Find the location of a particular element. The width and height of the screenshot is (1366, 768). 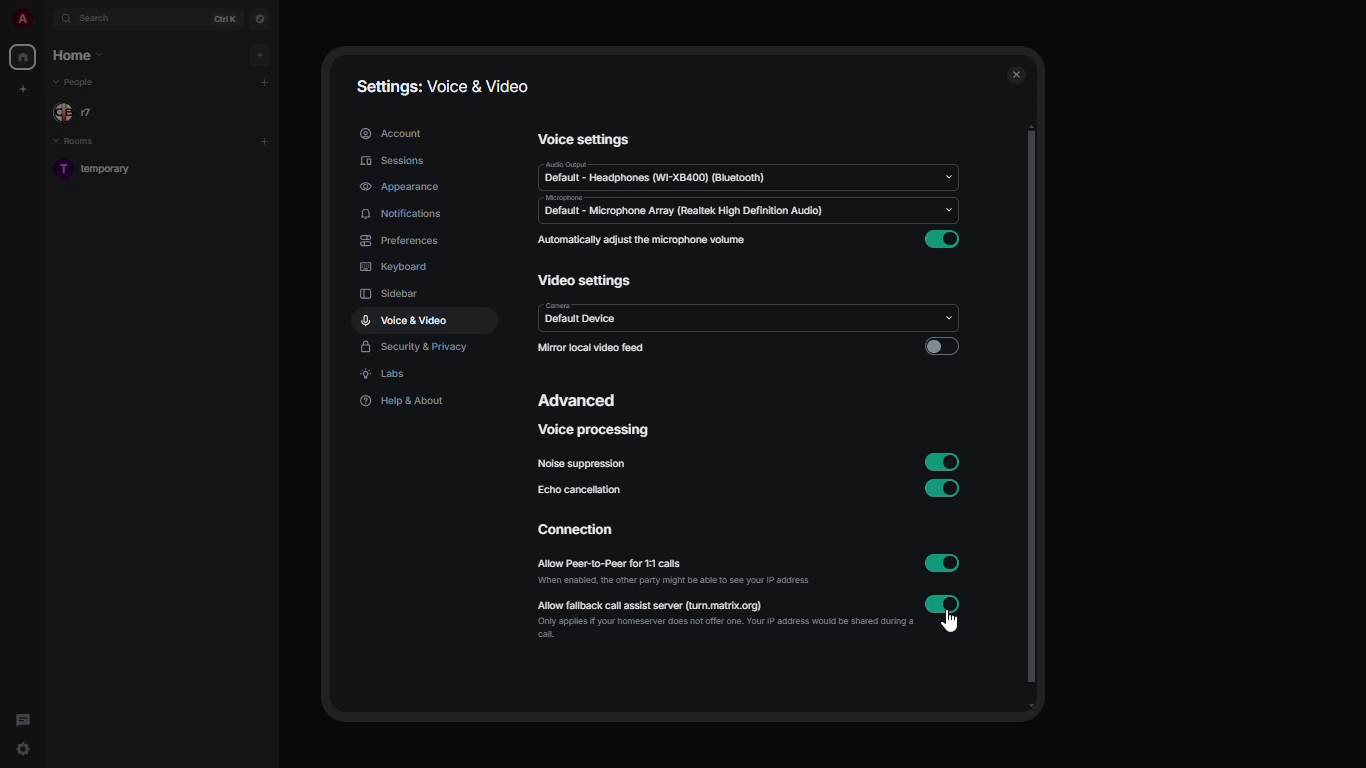

voice processing is located at coordinates (594, 431).